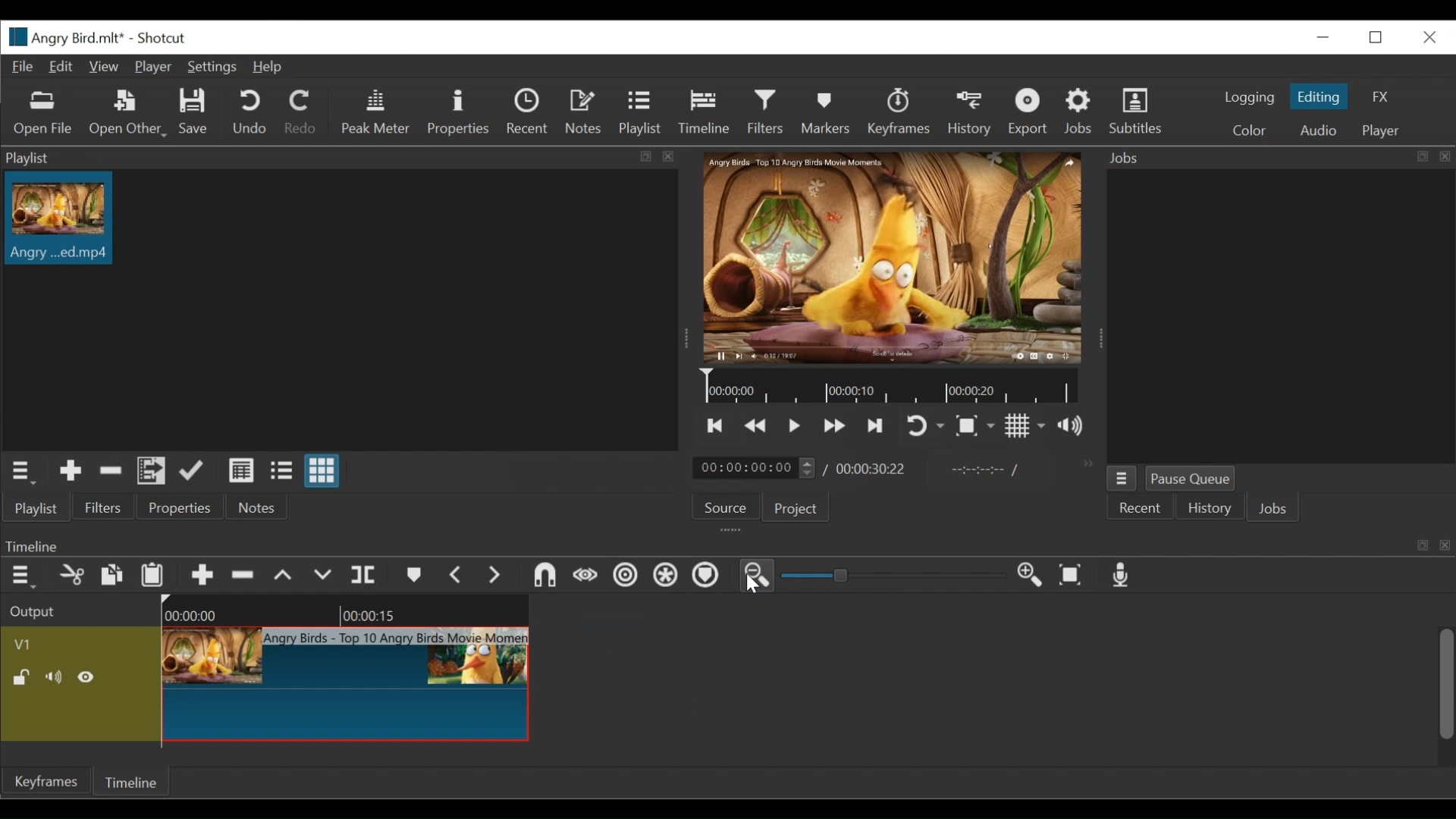  What do you see at coordinates (248, 575) in the screenshot?
I see `remove clip` at bounding box center [248, 575].